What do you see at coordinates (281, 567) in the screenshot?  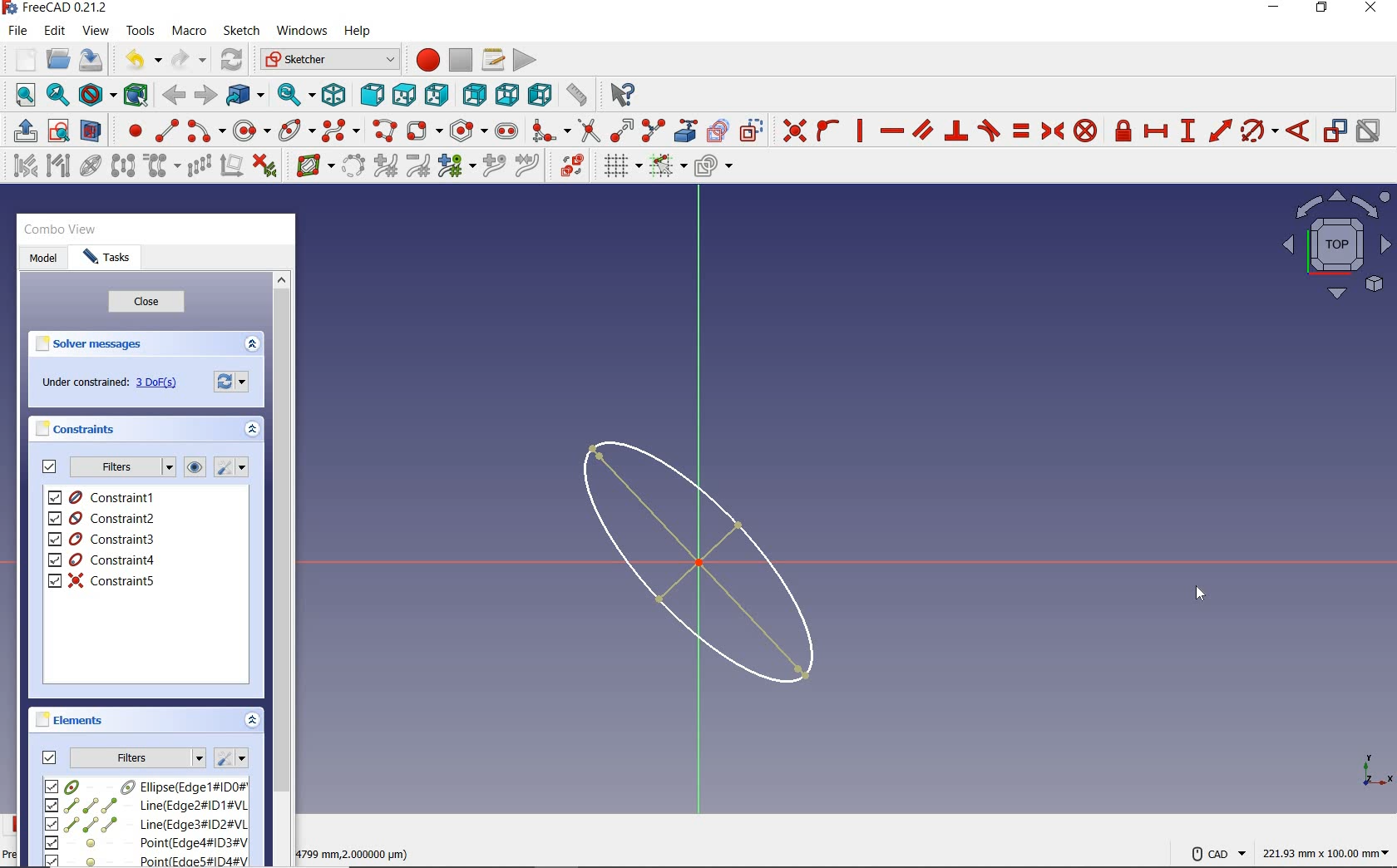 I see `scrollbar` at bounding box center [281, 567].